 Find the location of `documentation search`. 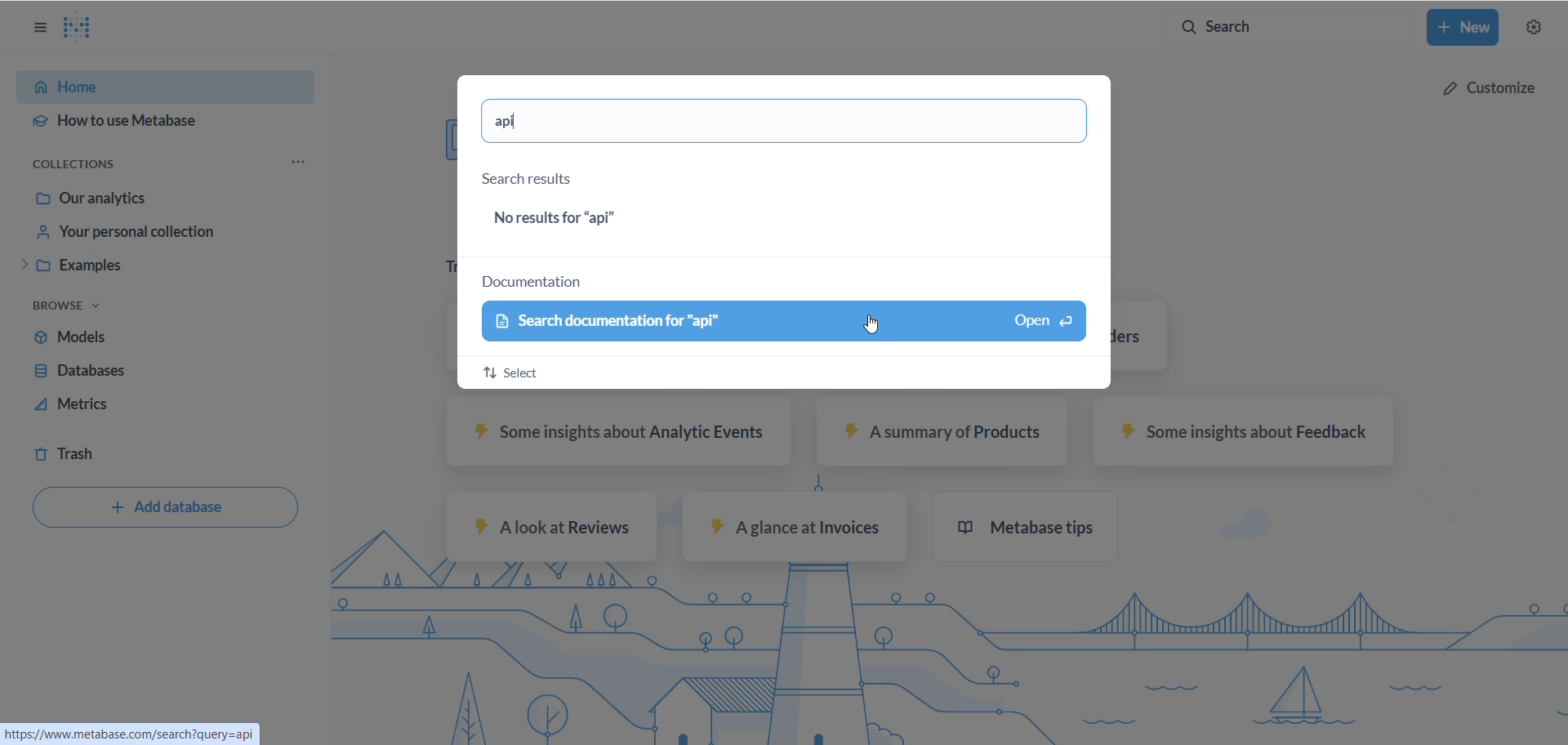

documentation search is located at coordinates (792, 324).